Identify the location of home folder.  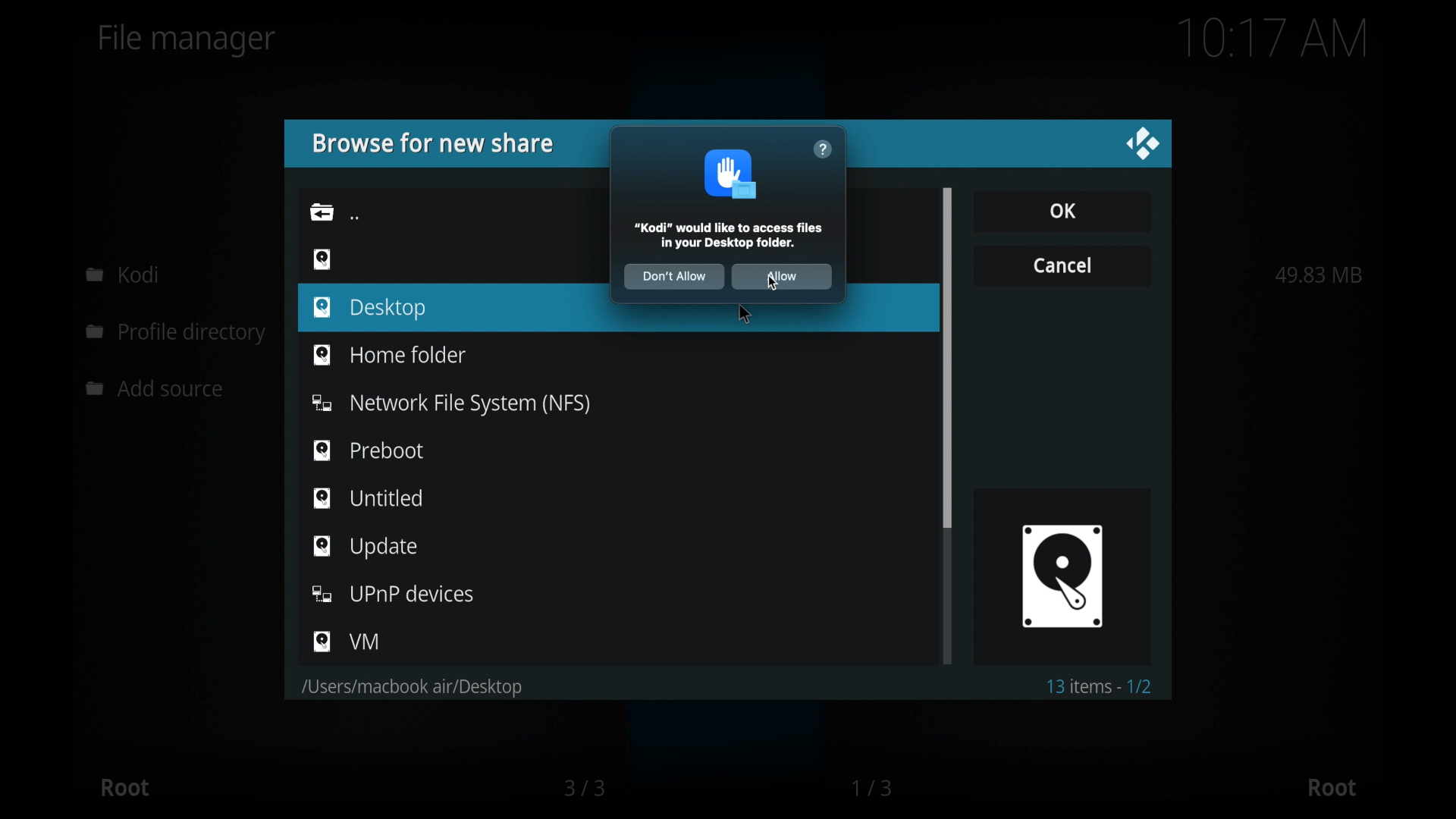
(388, 353).